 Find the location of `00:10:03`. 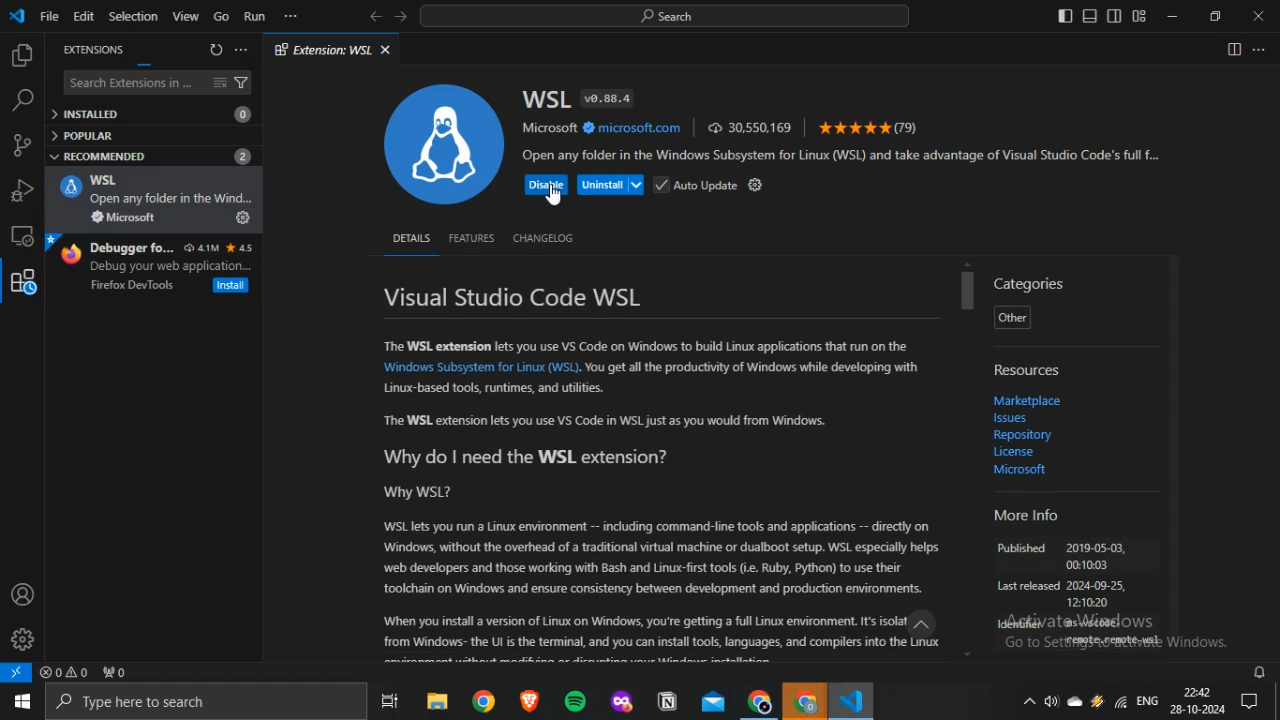

00:10:03 is located at coordinates (1087, 567).